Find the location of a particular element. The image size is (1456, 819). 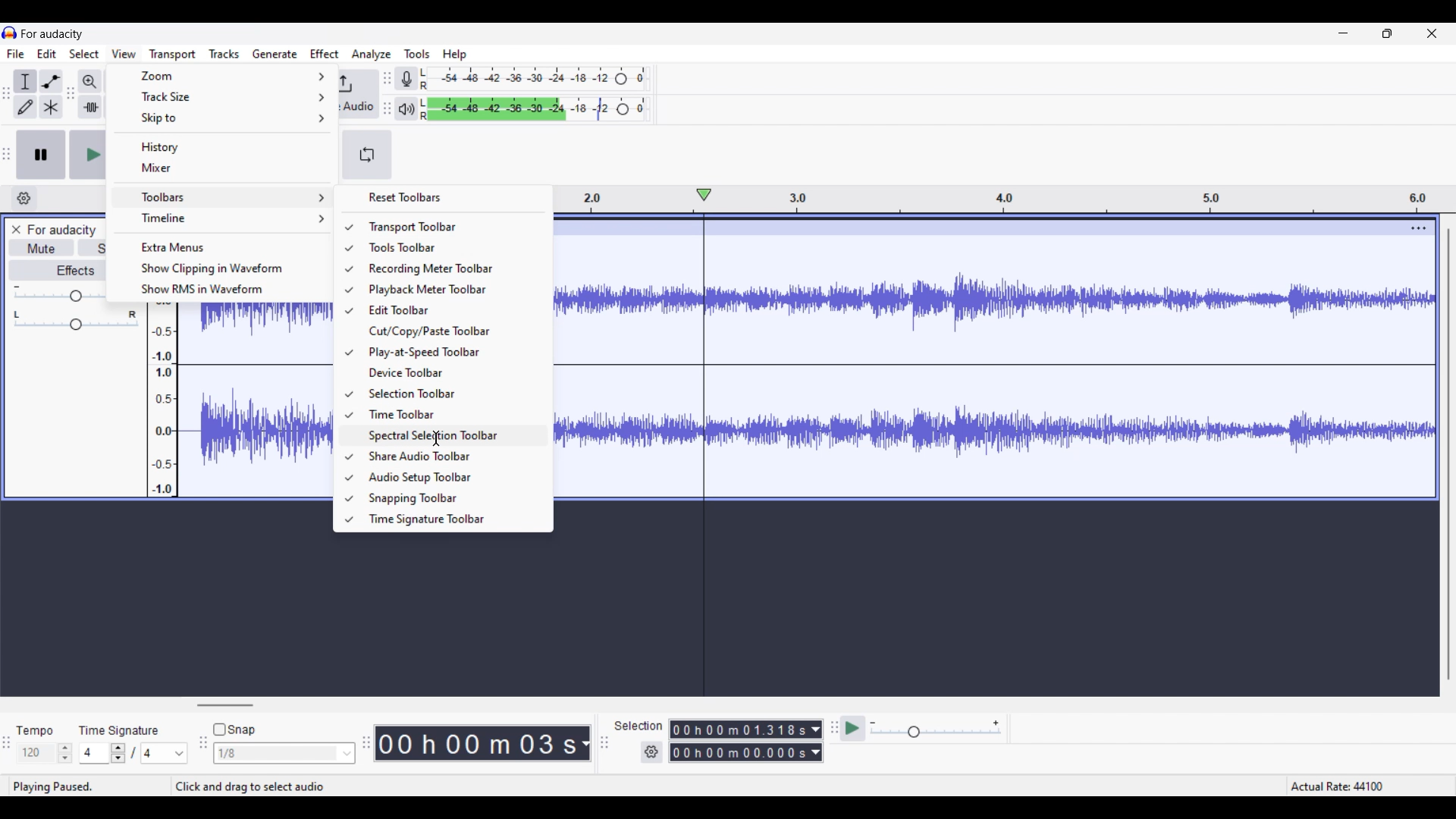

Selection duration measurement options is located at coordinates (815, 741).